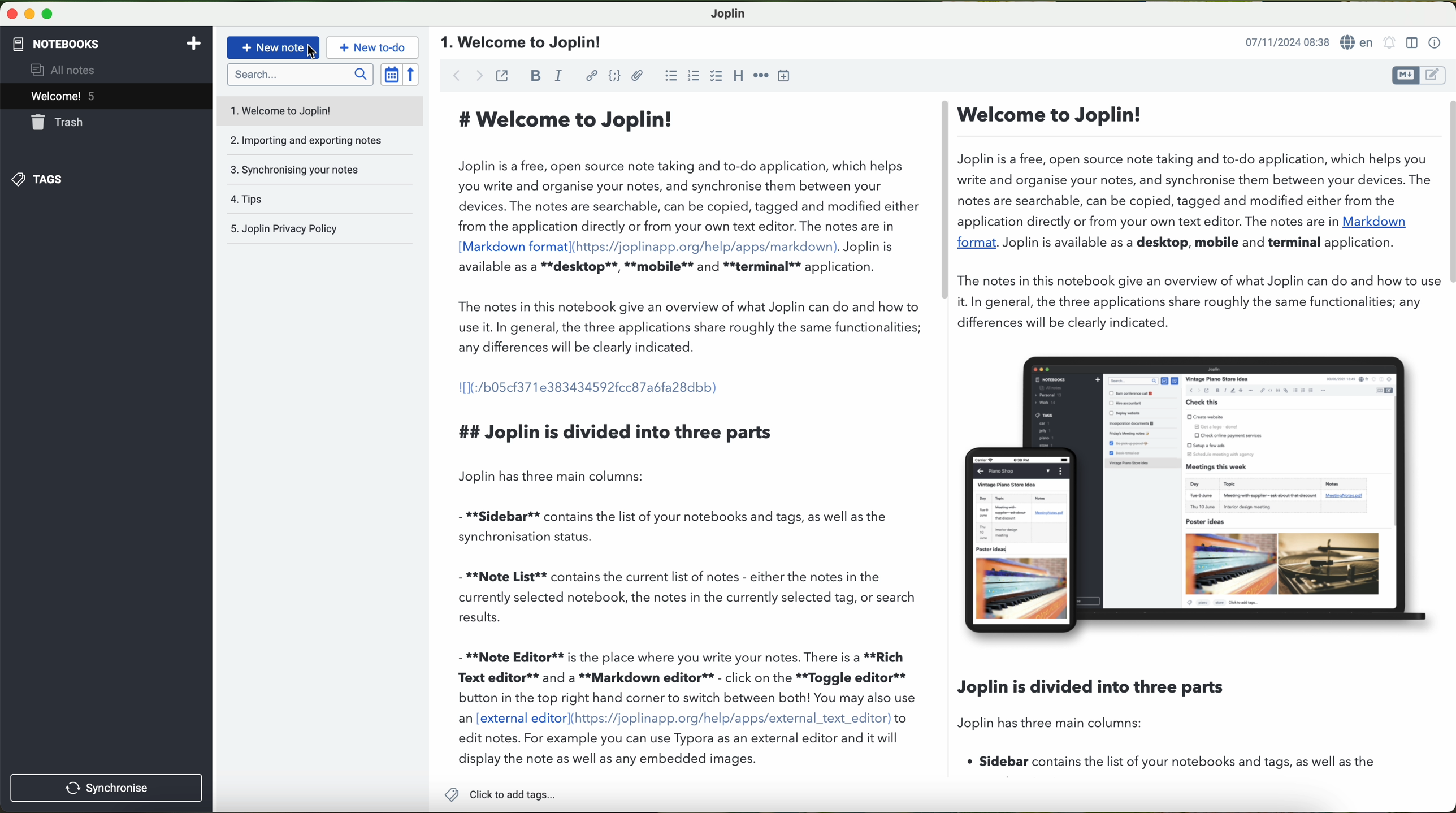 The height and width of the screenshot is (813, 1456). I want to click on code, so click(616, 76).